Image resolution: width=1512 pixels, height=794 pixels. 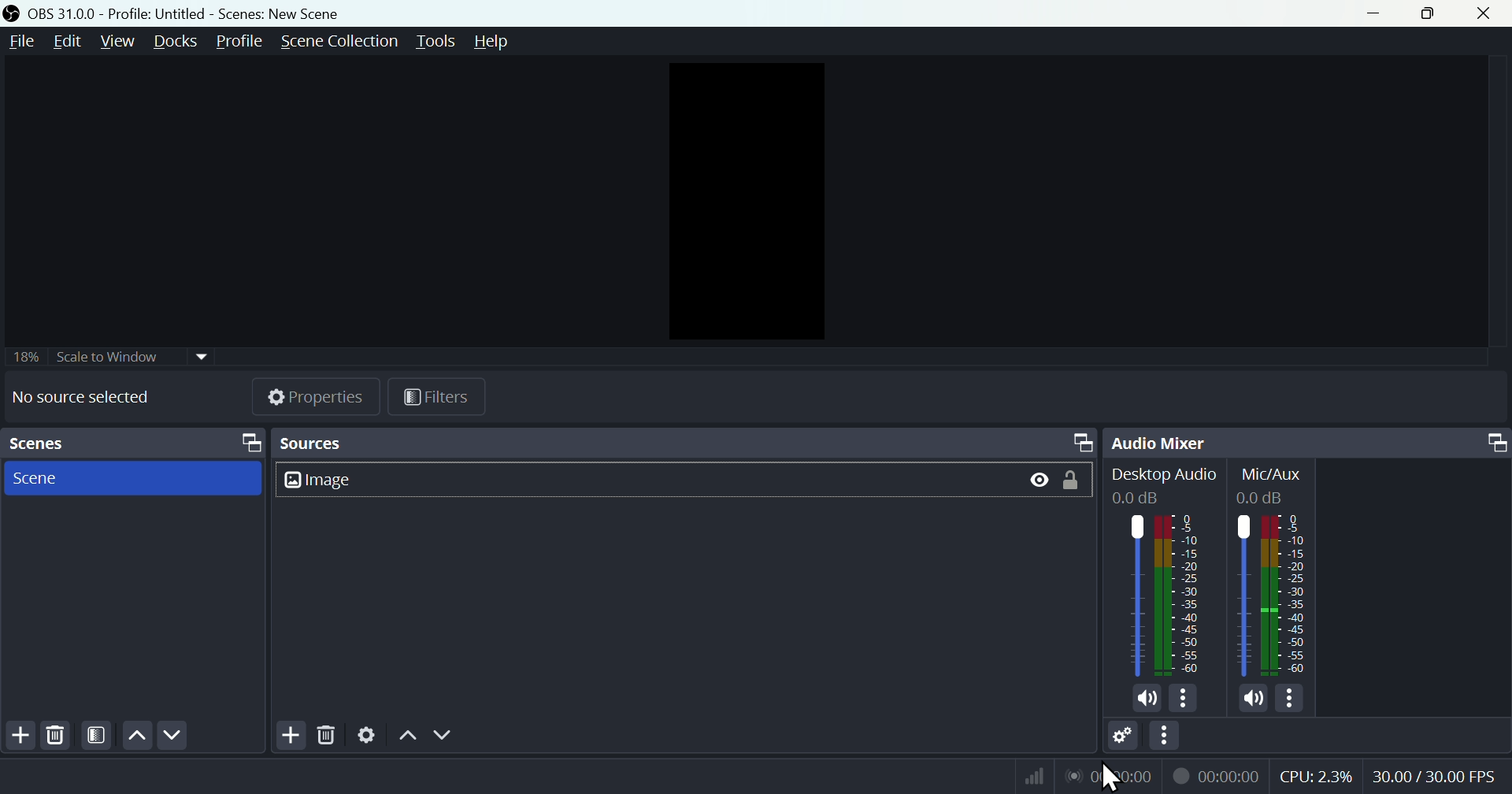 I want to click on close, so click(x=1488, y=13).